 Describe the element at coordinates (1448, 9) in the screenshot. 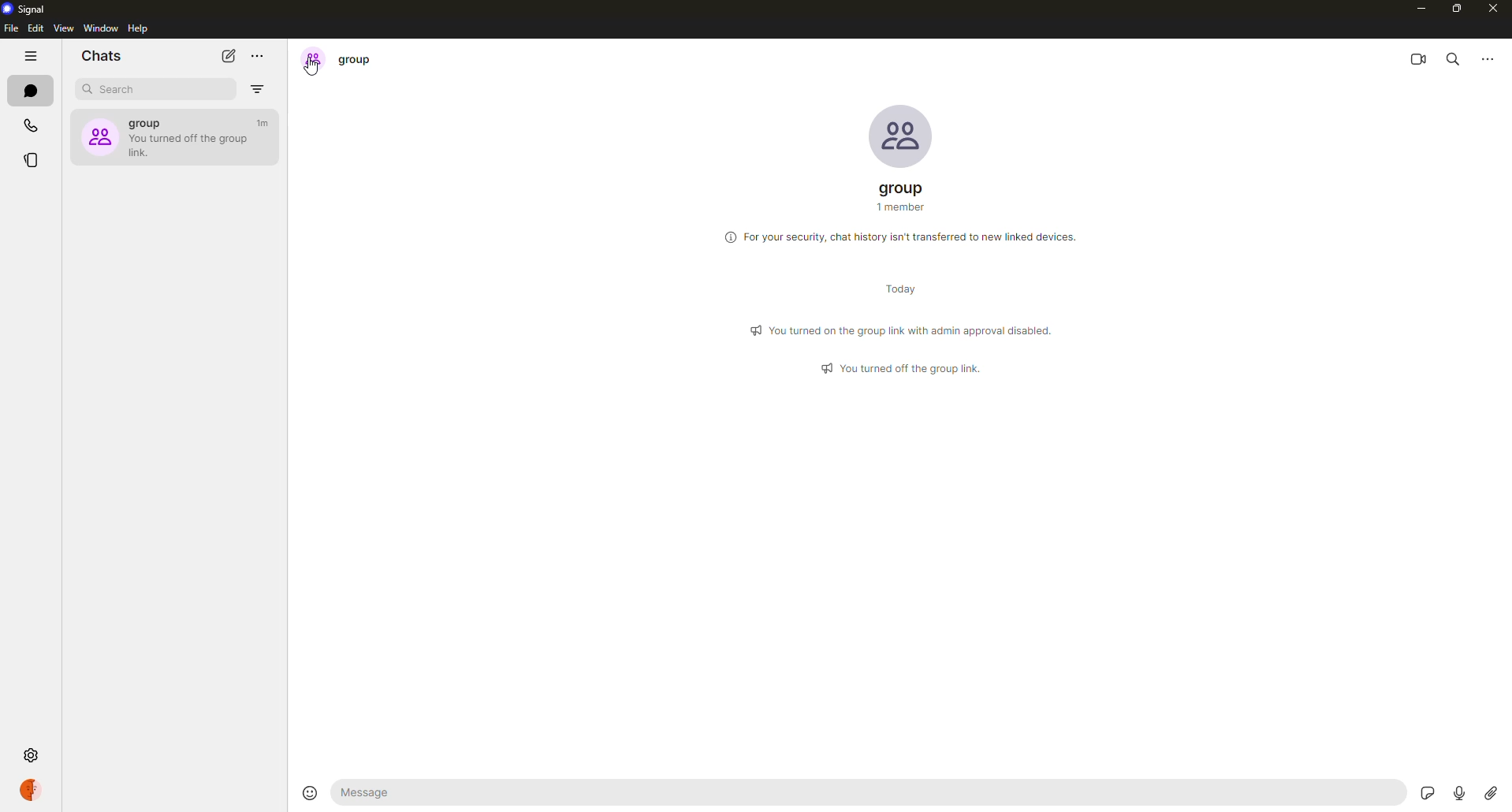

I see `maximize` at that location.